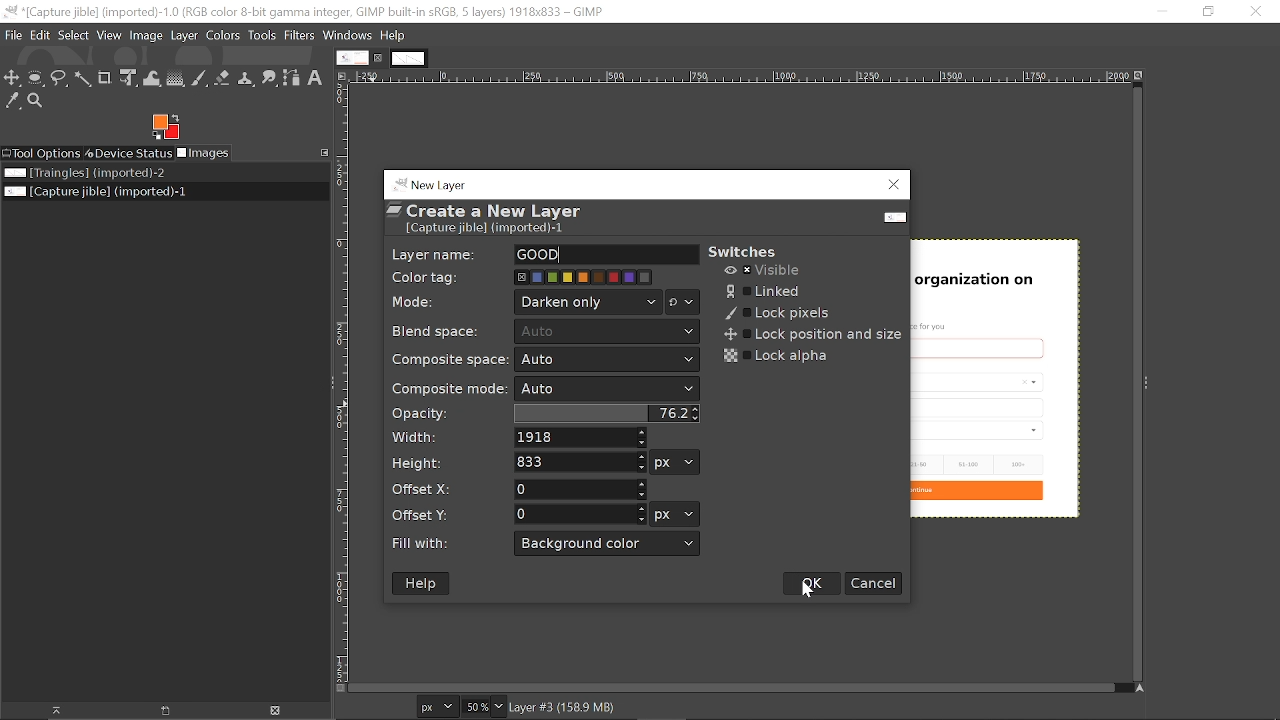  I want to click on Fuzzy select tool, so click(83, 79).